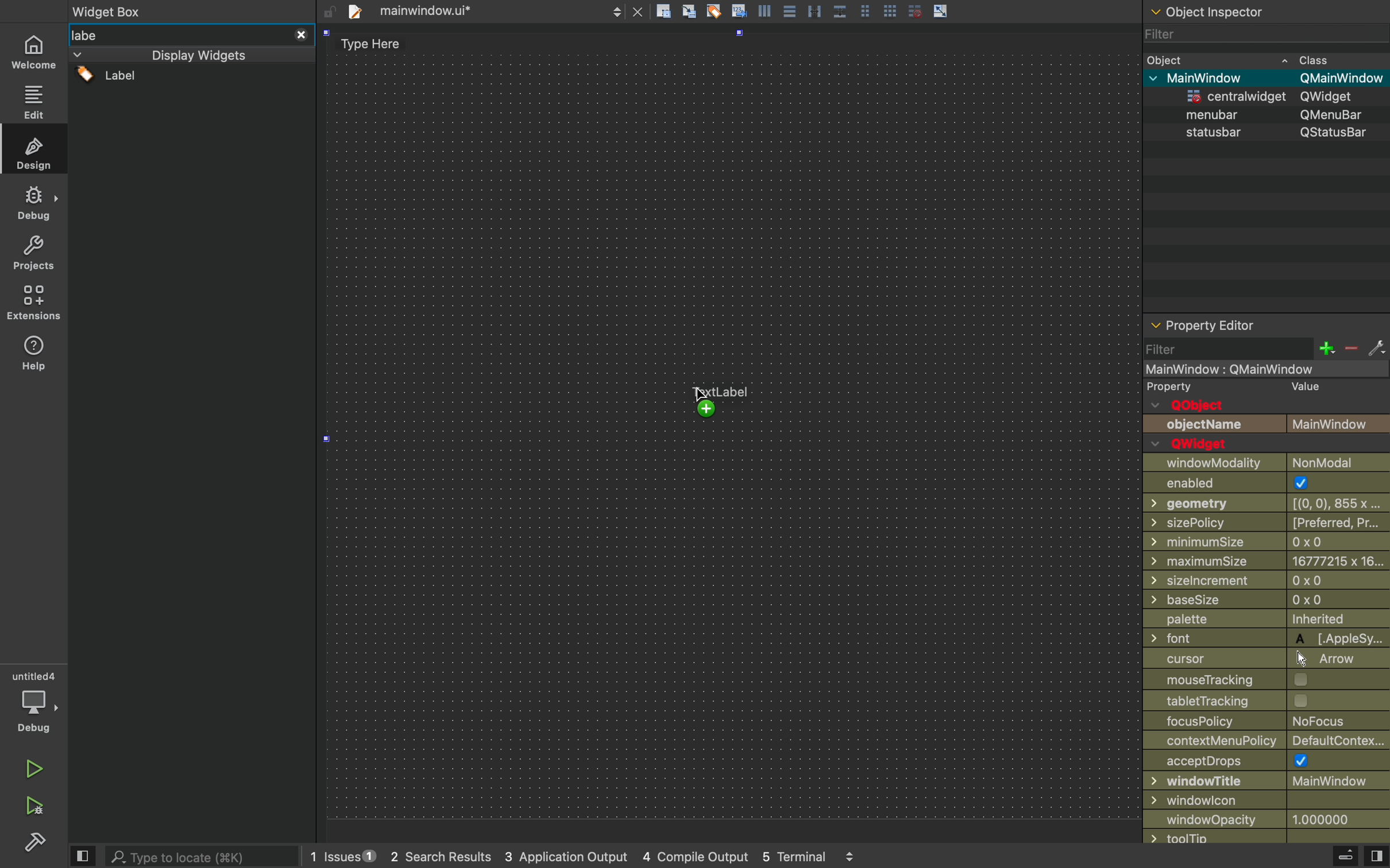 The image size is (1390, 868). I want to click on value, so click(1300, 388).